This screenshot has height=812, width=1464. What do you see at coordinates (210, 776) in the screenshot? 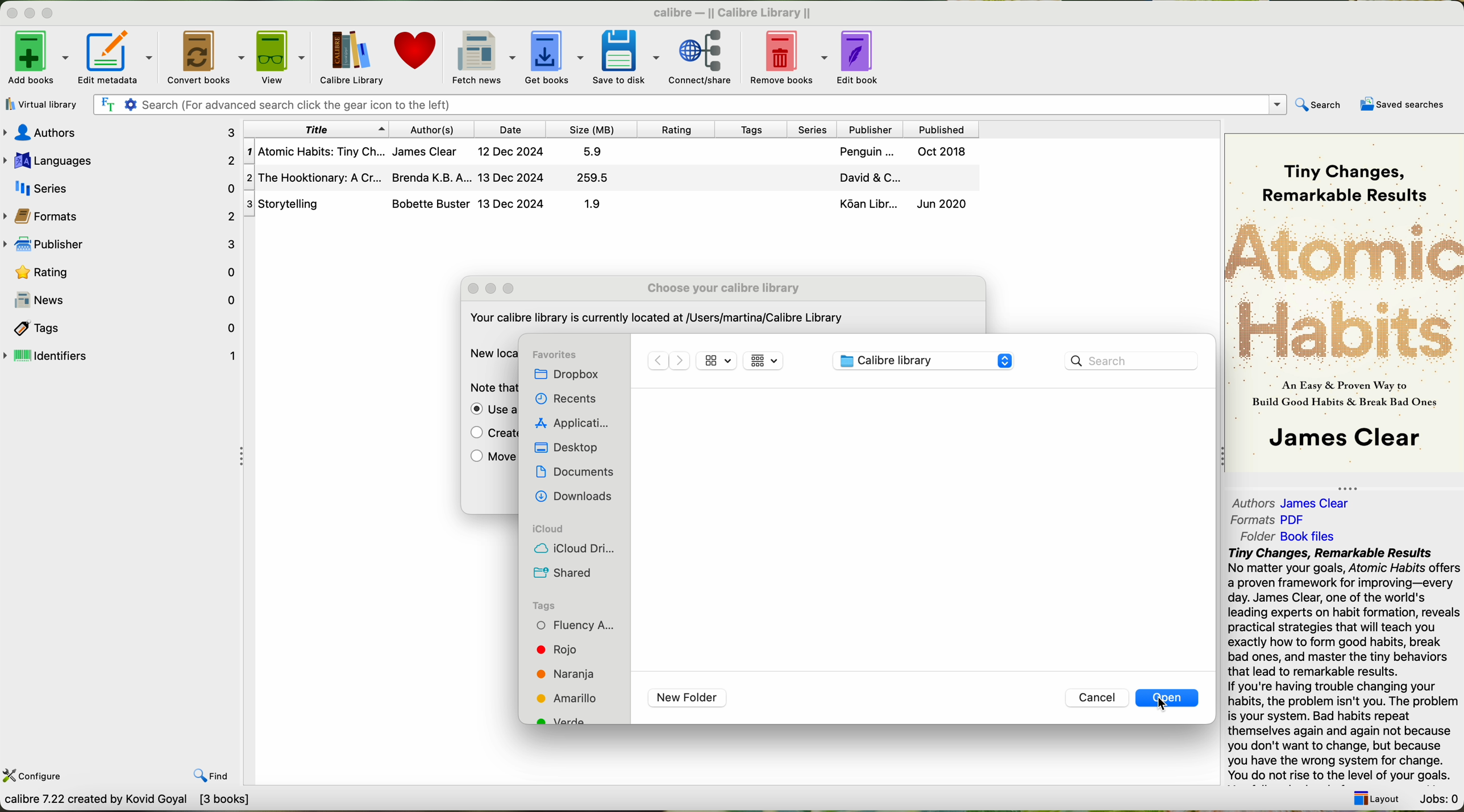
I see `find` at bounding box center [210, 776].